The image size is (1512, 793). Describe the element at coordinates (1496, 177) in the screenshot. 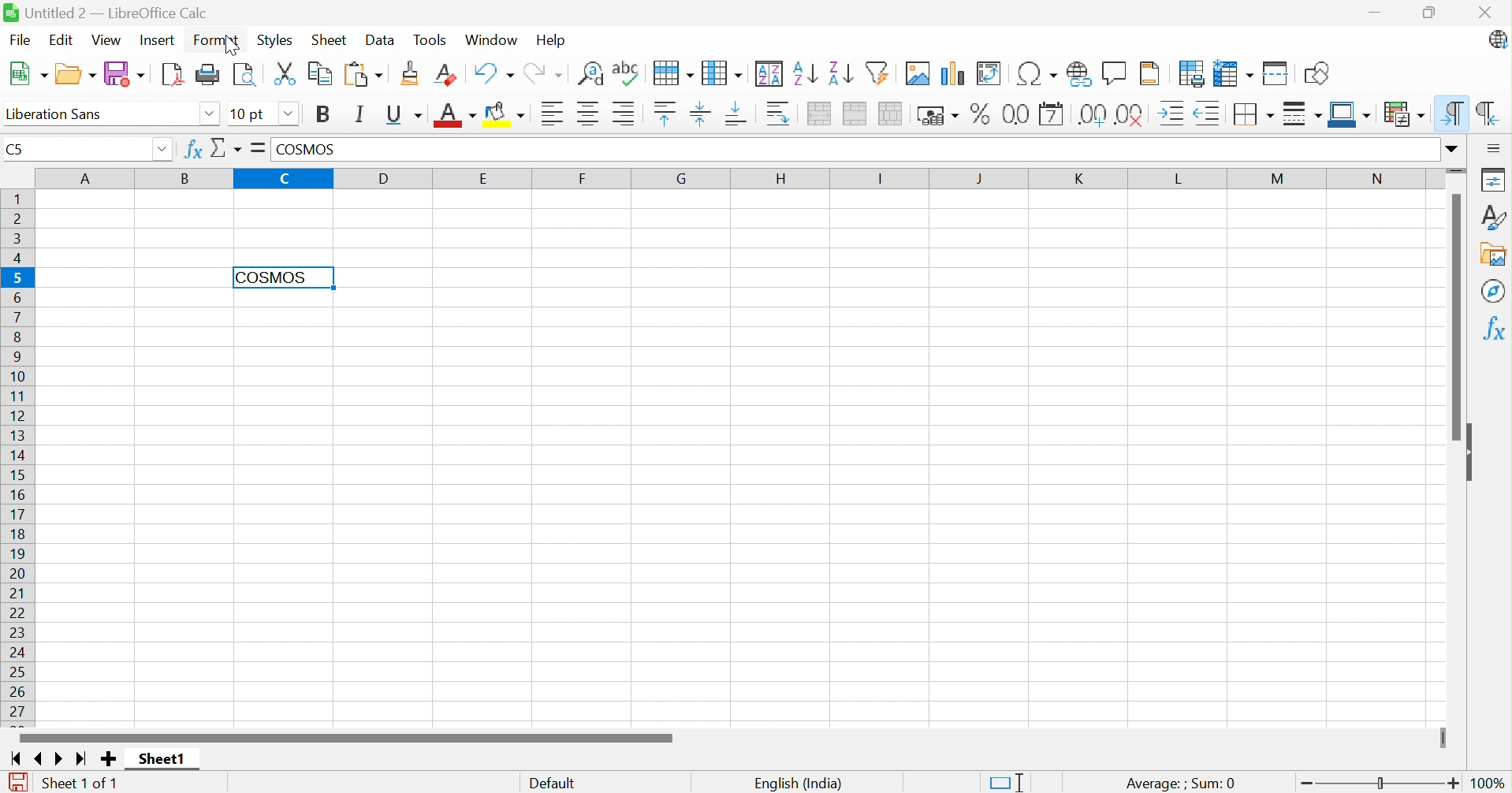

I see `Properties` at that location.